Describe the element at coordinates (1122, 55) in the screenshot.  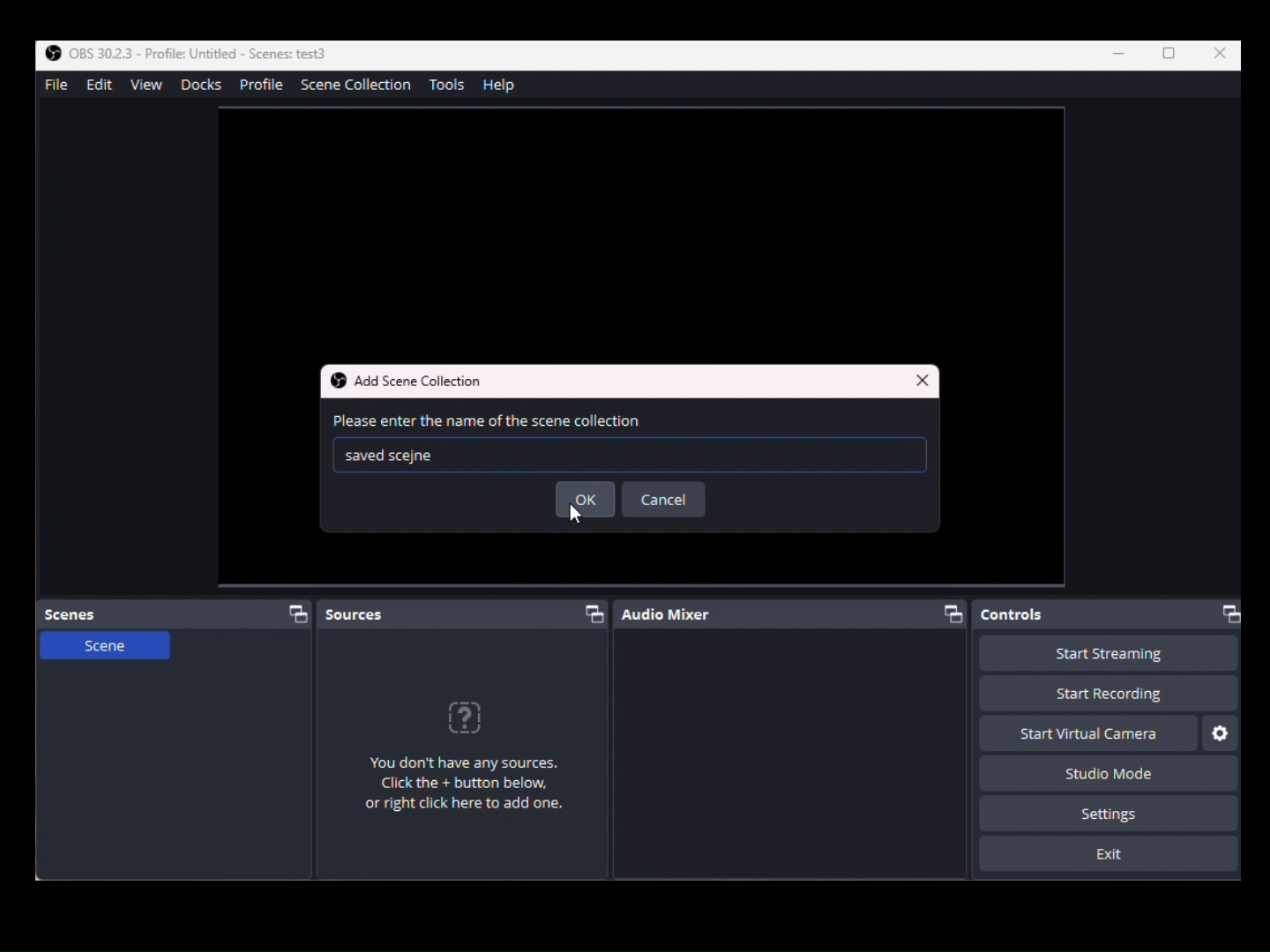
I see `Minimize` at that location.